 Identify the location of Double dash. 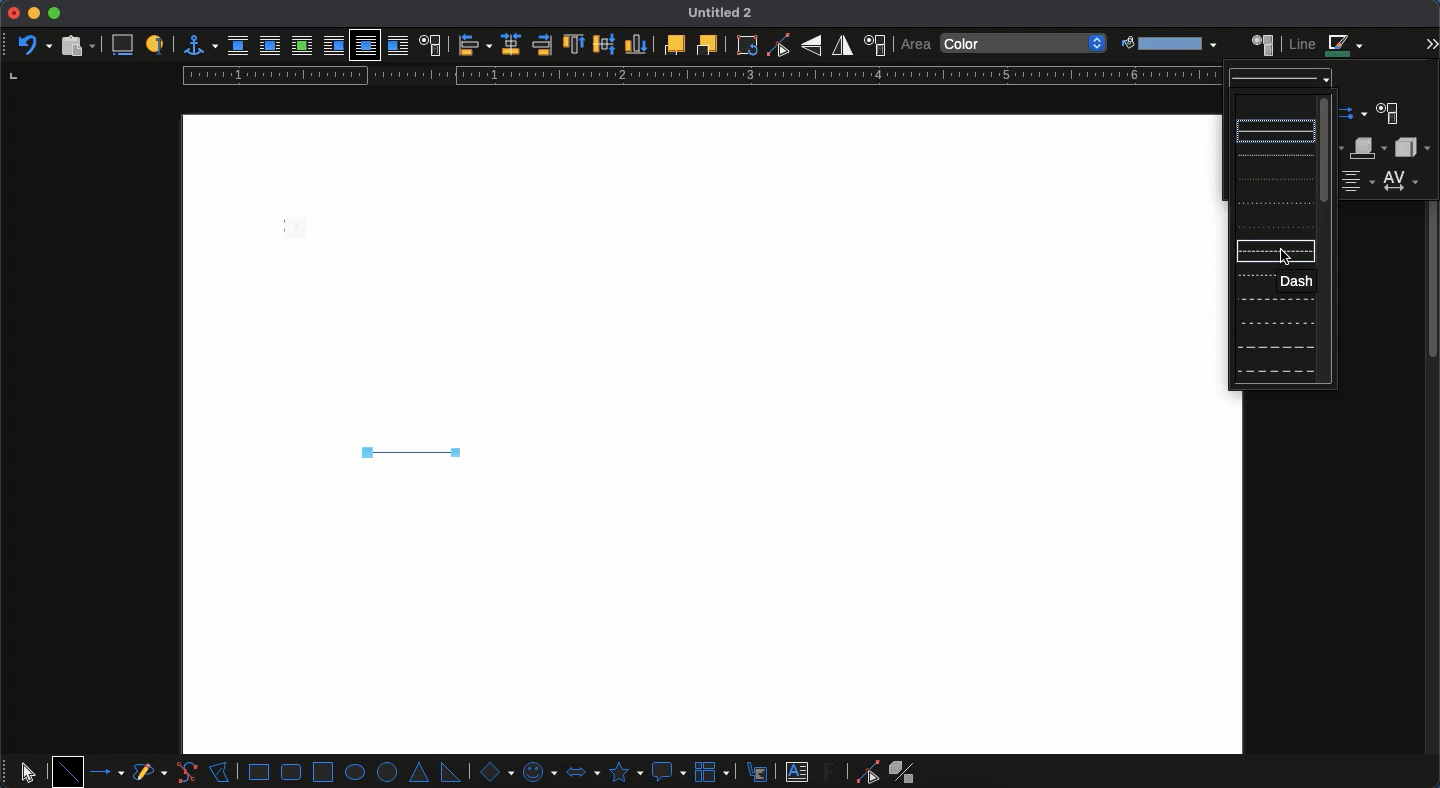
(1275, 346).